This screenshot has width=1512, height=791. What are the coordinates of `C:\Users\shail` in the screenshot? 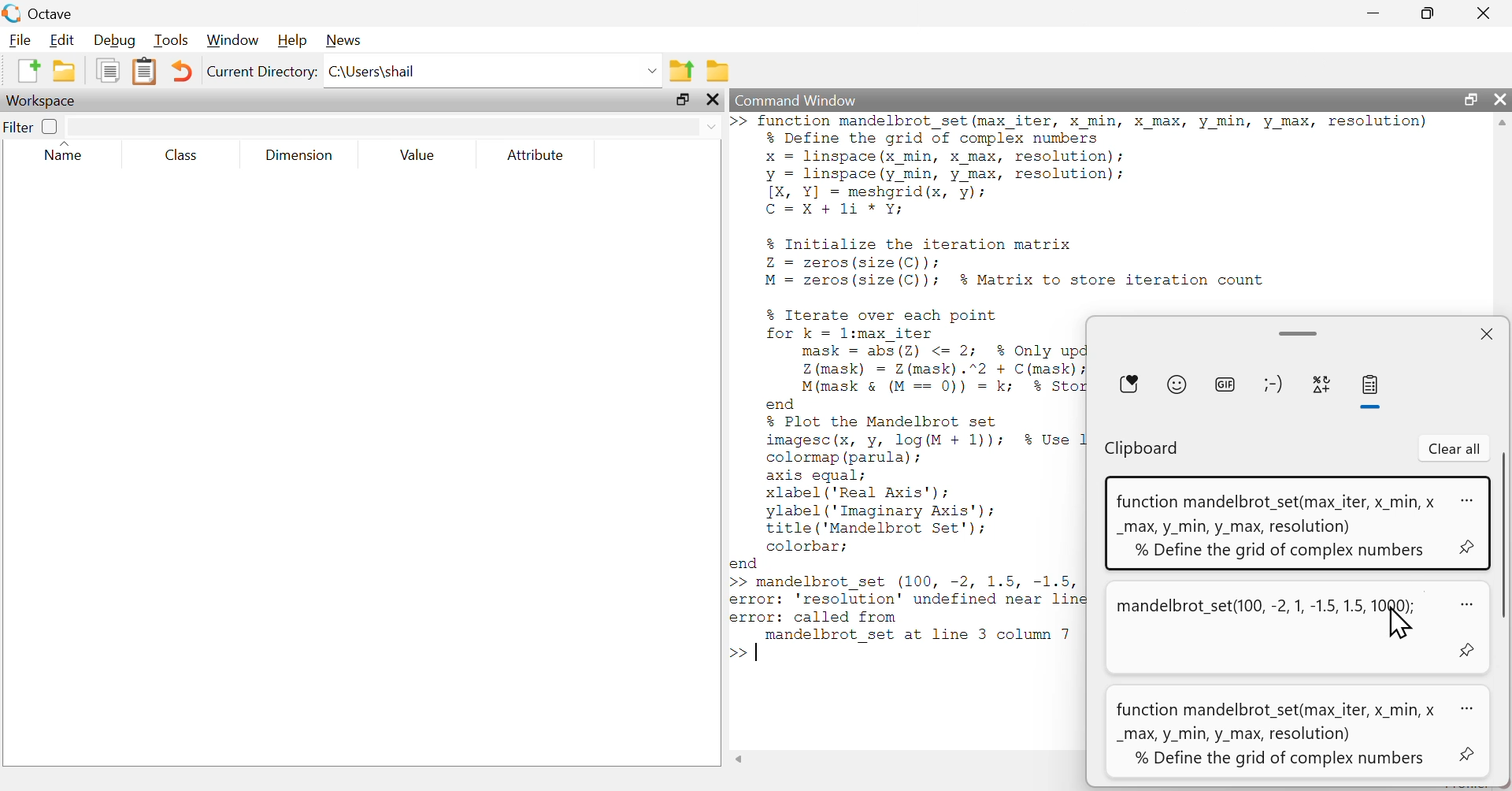 It's located at (493, 71).